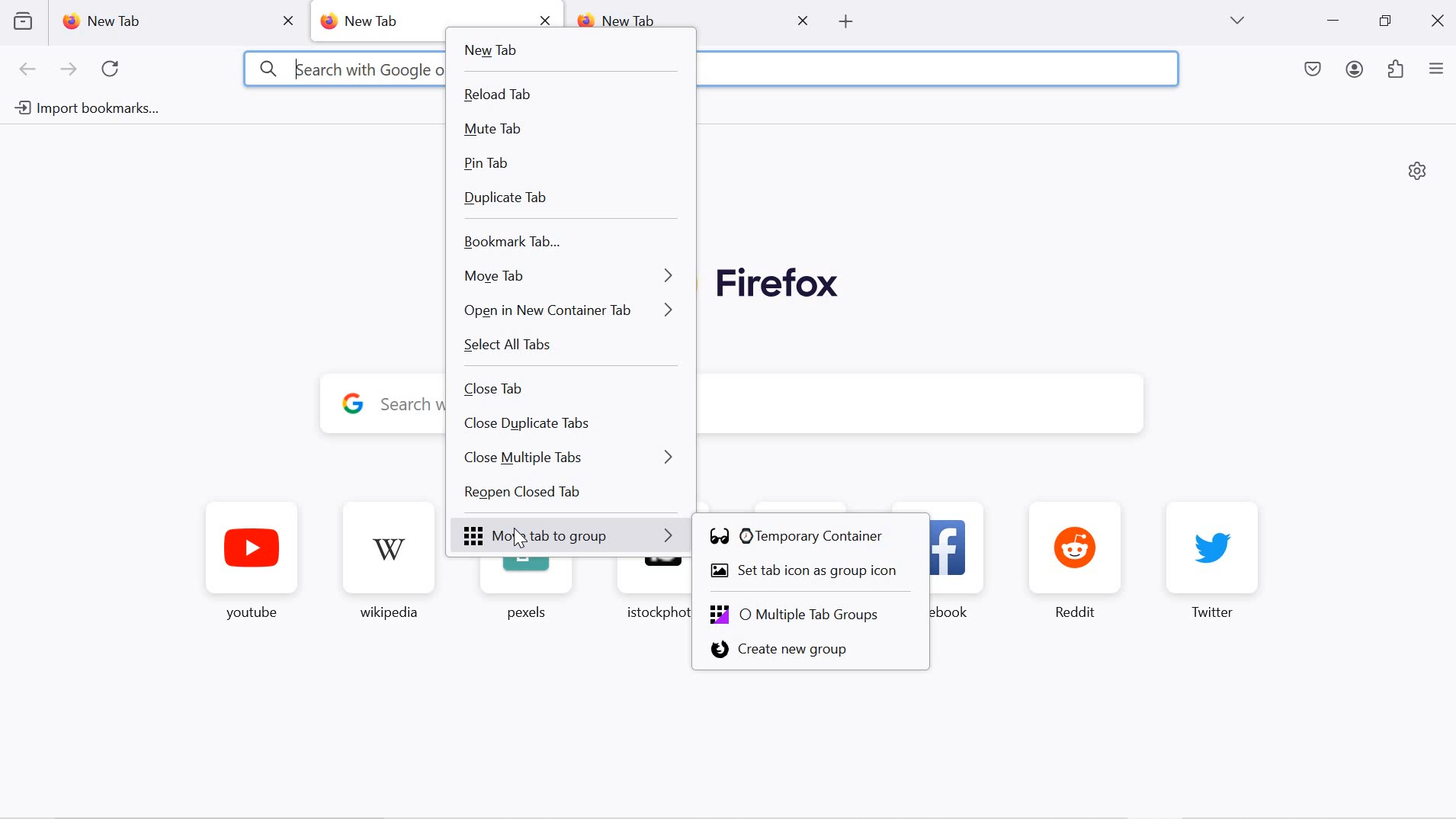 This screenshot has height=819, width=1456. I want to click on go back, so click(28, 70).